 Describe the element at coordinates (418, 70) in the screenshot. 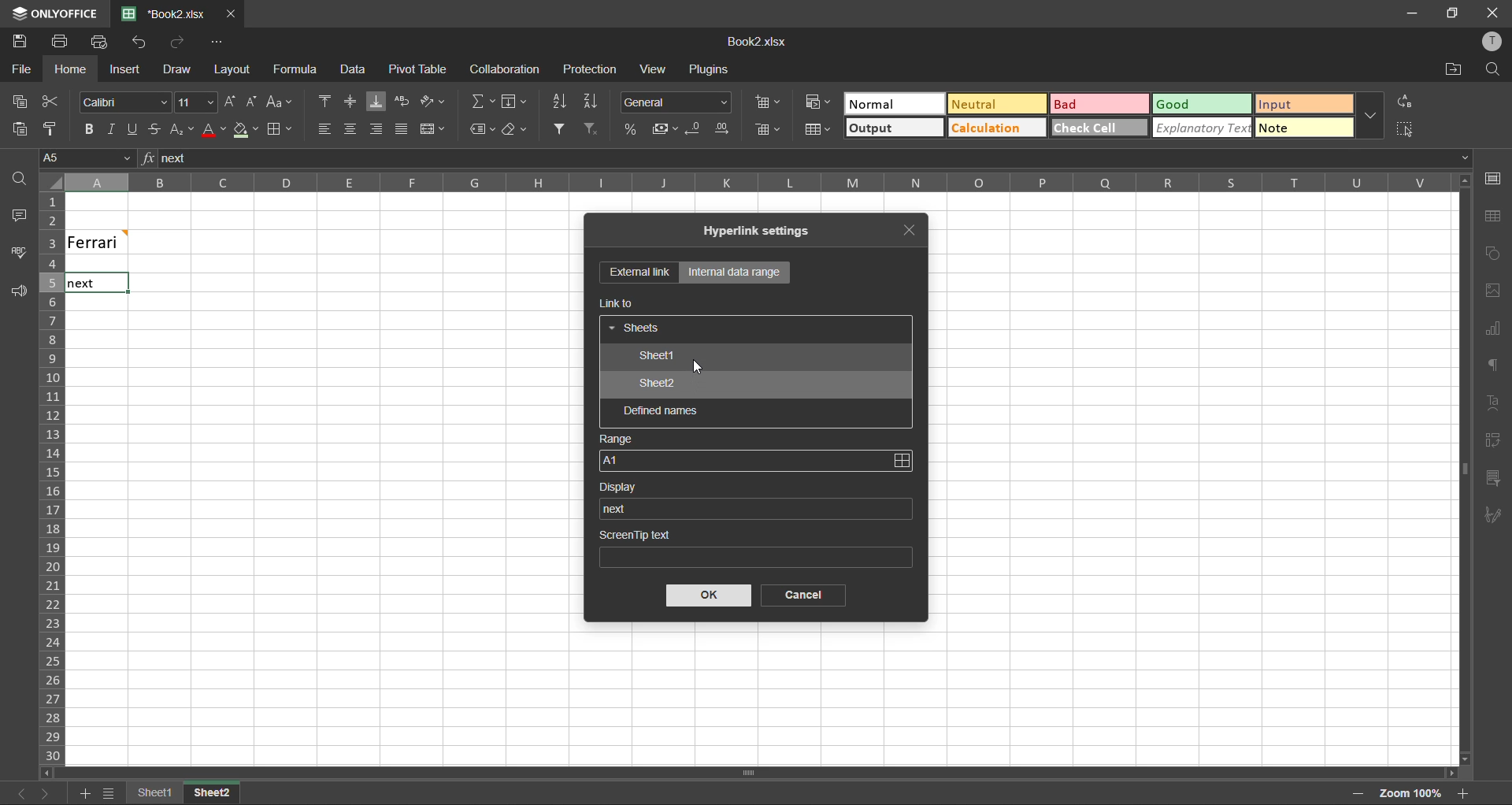

I see `pivot table` at that location.